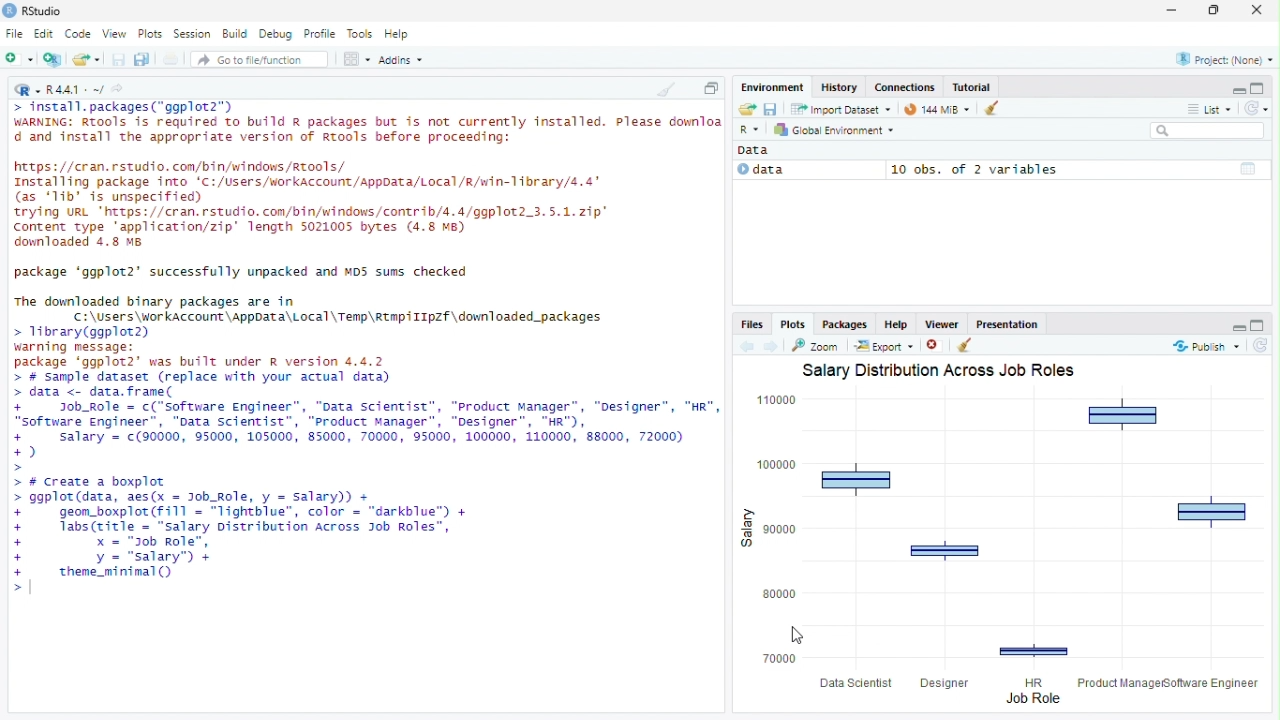  What do you see at coordinates (896, 323) in the screenshot?
I see `Help` at bounding box center [896, 323].